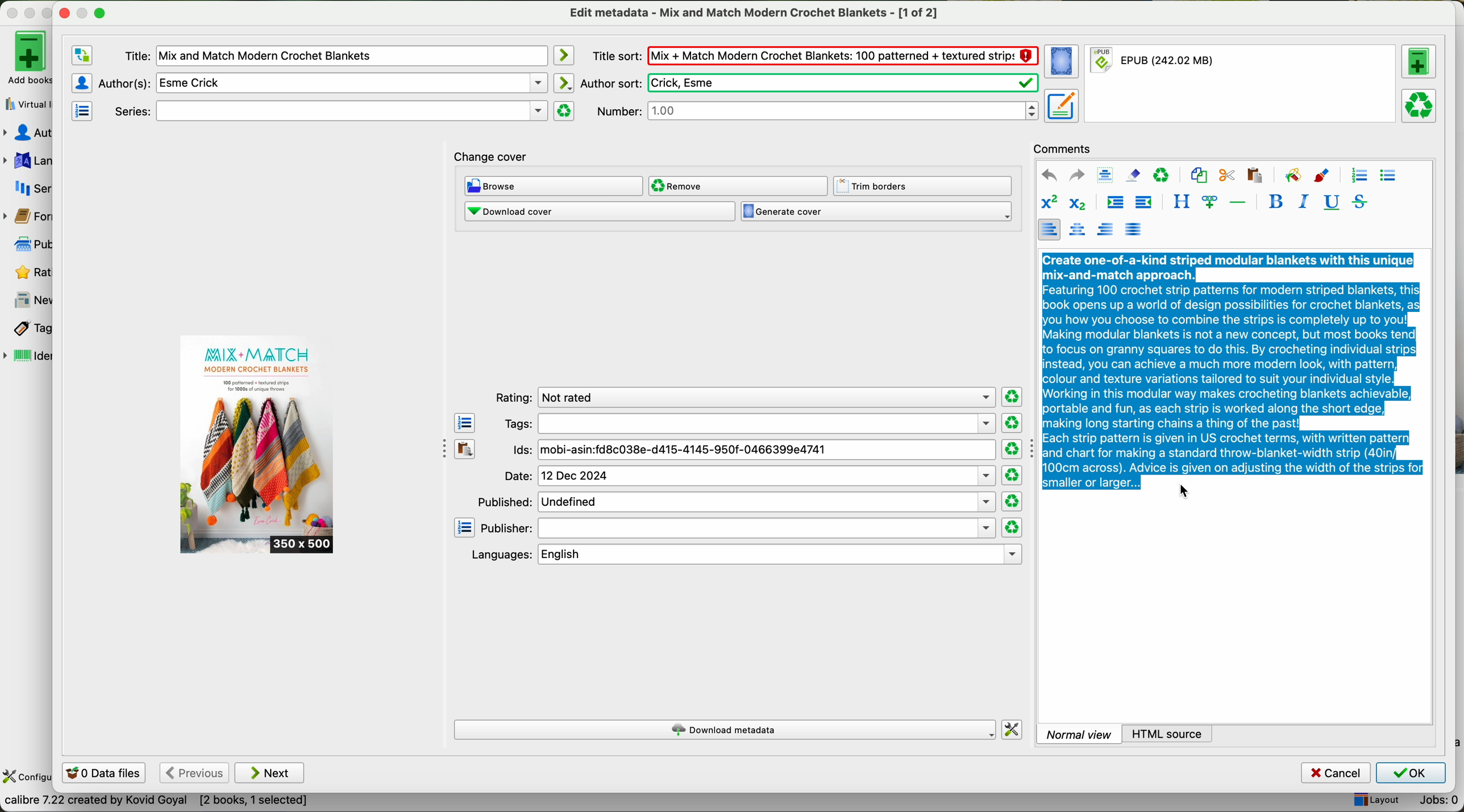 The height and width of the screenshot is (812, 1464). What do you see at coordinates (1187, 492) in the screenshot?
I see `cursor` at bounding box center [1187, 492].